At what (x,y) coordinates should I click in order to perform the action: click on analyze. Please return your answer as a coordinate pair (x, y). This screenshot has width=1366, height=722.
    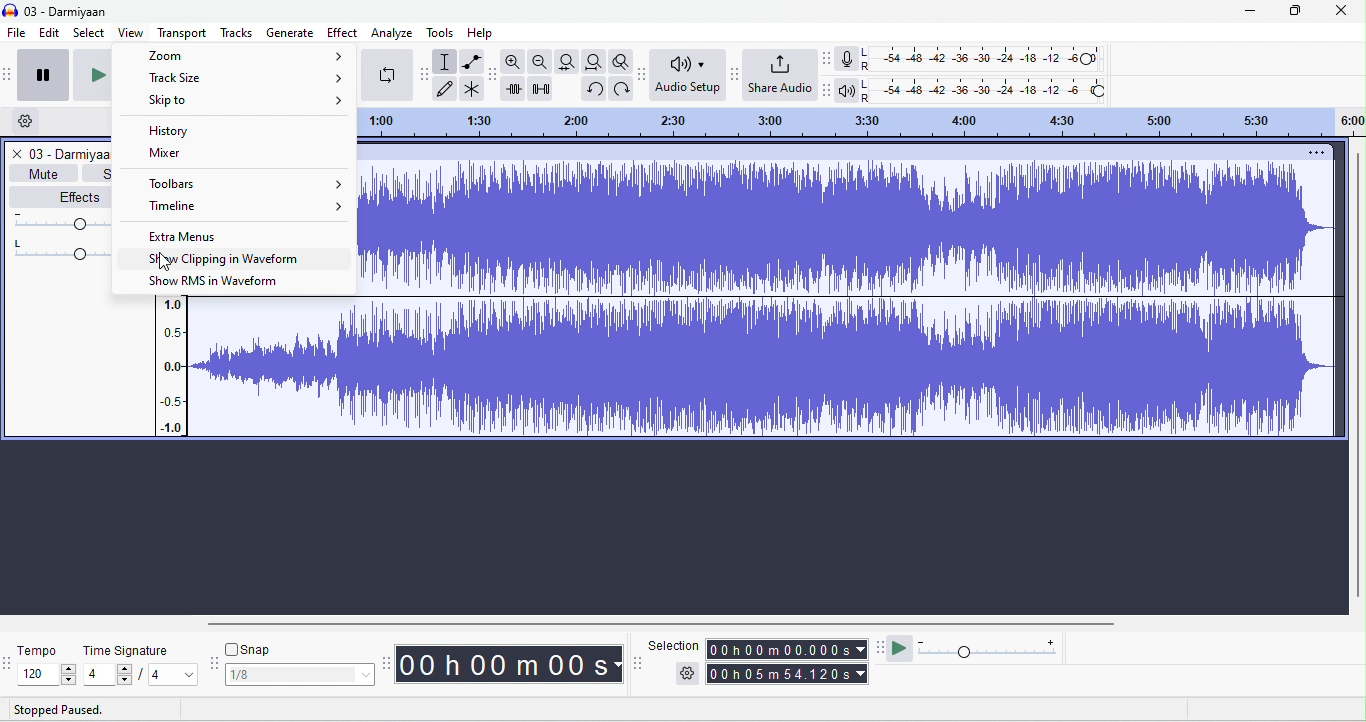
    Looking at the image, I should click on (392, 33).